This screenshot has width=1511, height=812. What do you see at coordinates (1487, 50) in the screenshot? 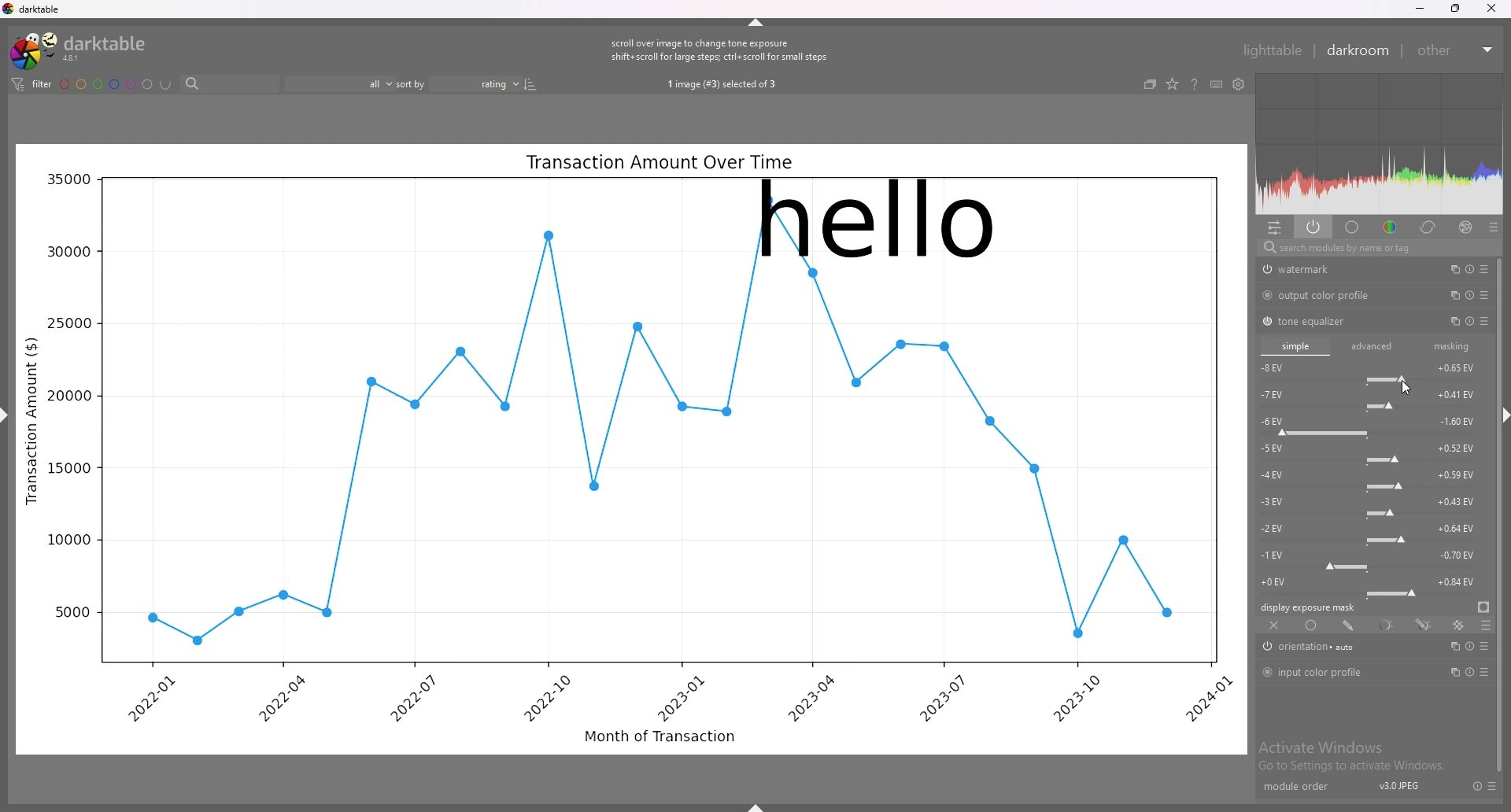
I see `expand/collapse ` at bounding box center [1487, 50].